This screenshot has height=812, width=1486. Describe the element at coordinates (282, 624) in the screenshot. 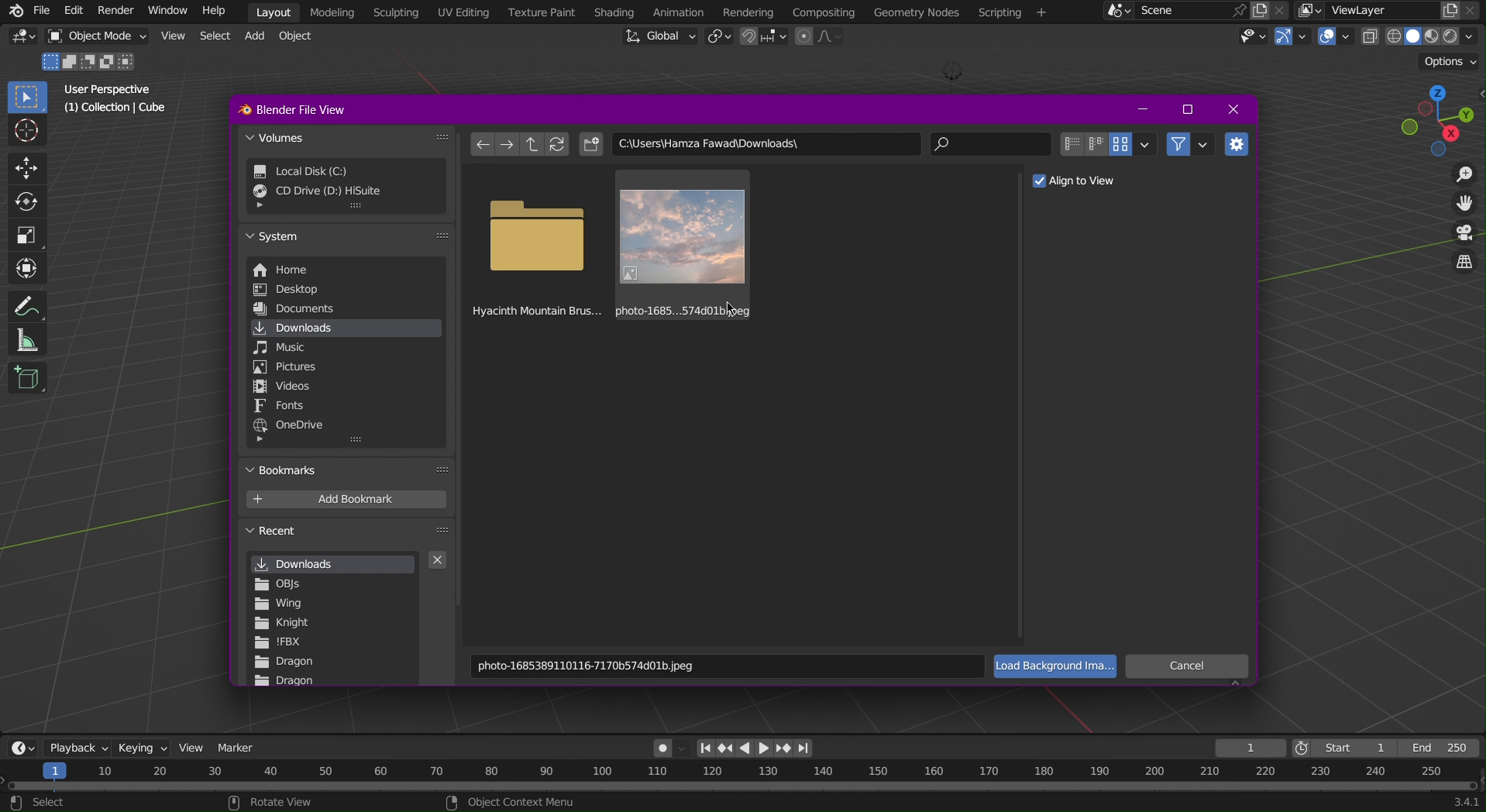

I see `Knight` at that location.